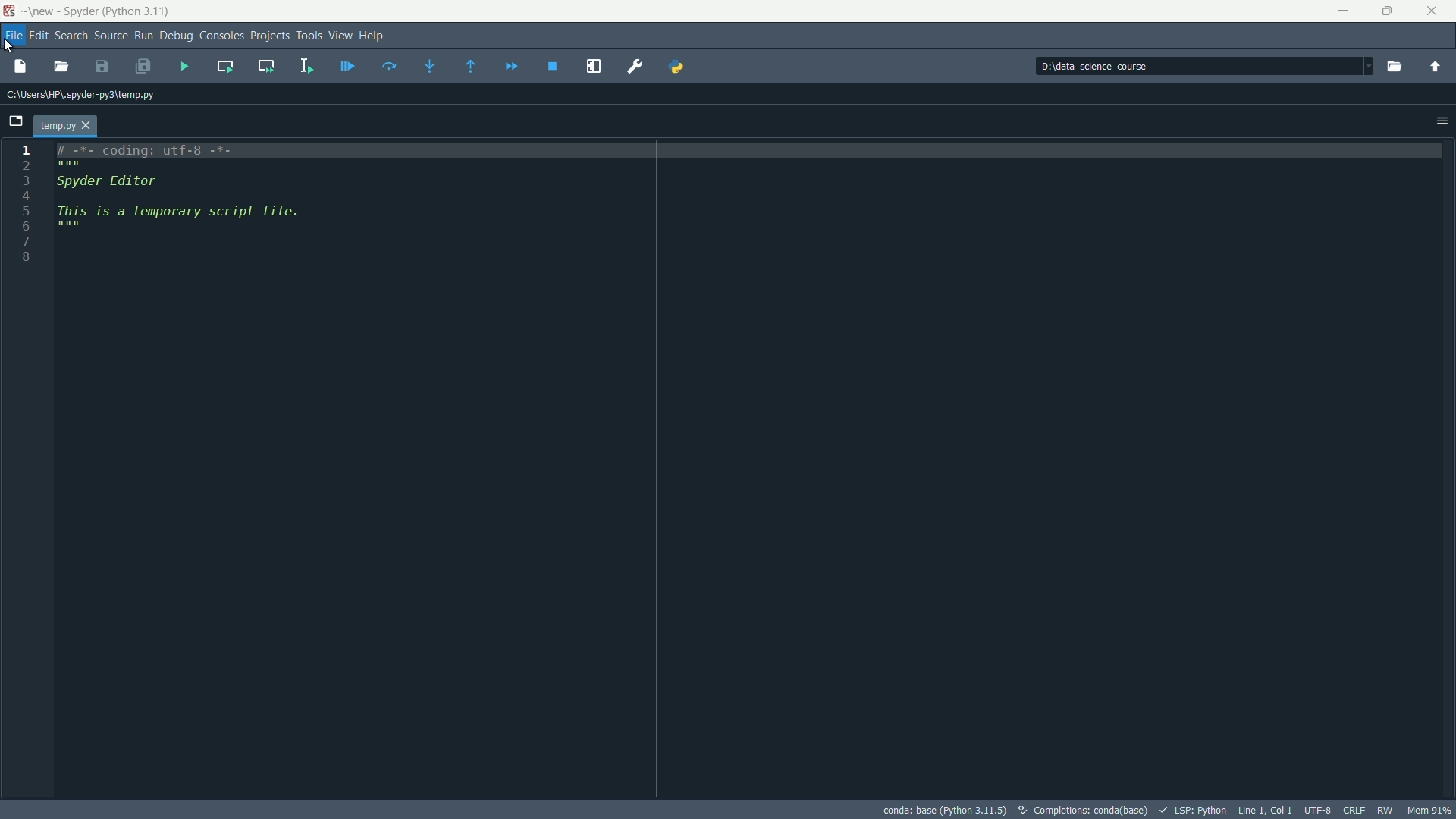 Image resolution: width=1456 pixels, height=819 pixels. What do you see at coordinates (373, 35) in the screenshot?
I see `help menu` at bounding box center [373, 35].